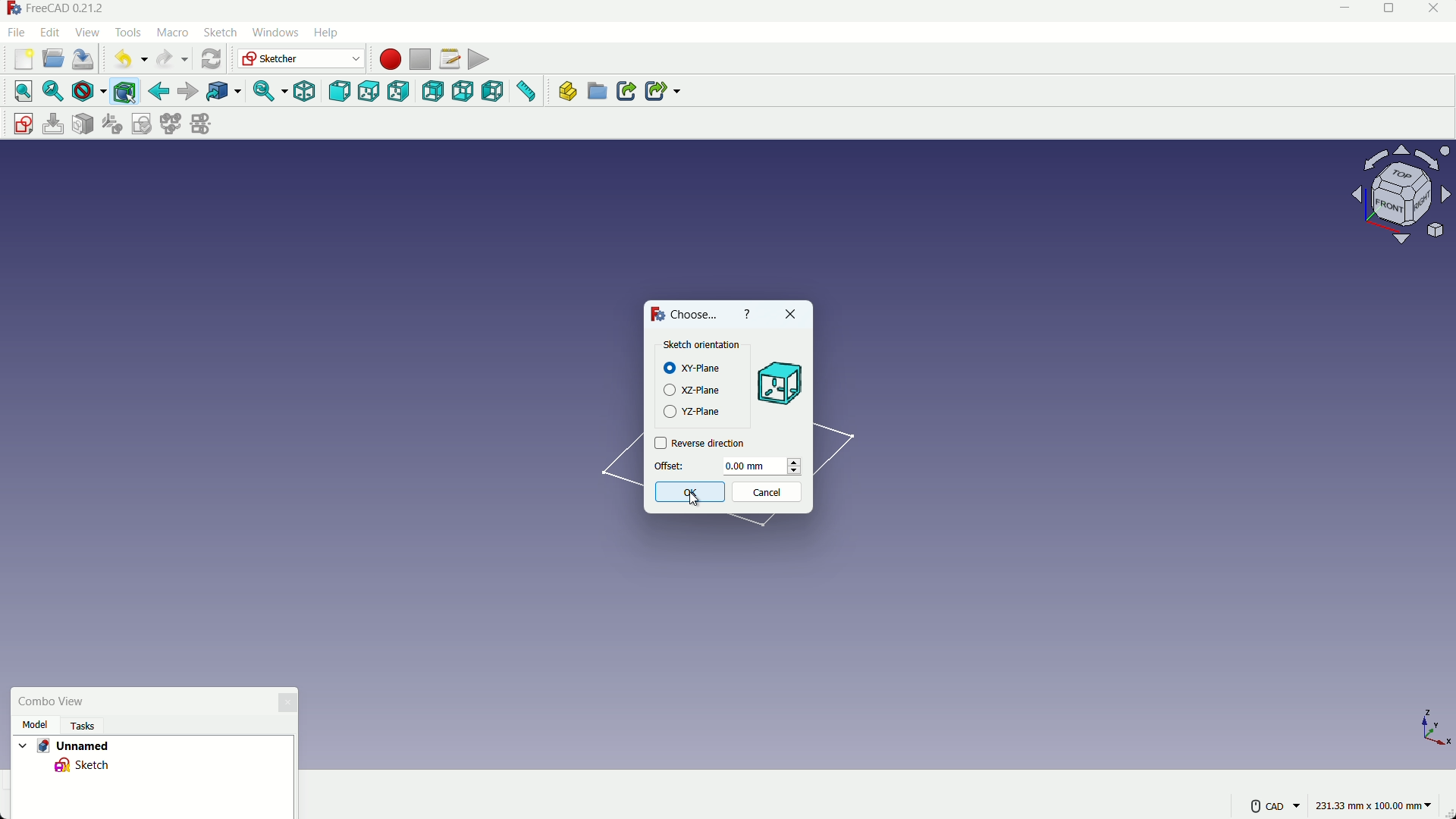 The image size is (1456, 819). I want to click on cancel button, so click(767, 492).